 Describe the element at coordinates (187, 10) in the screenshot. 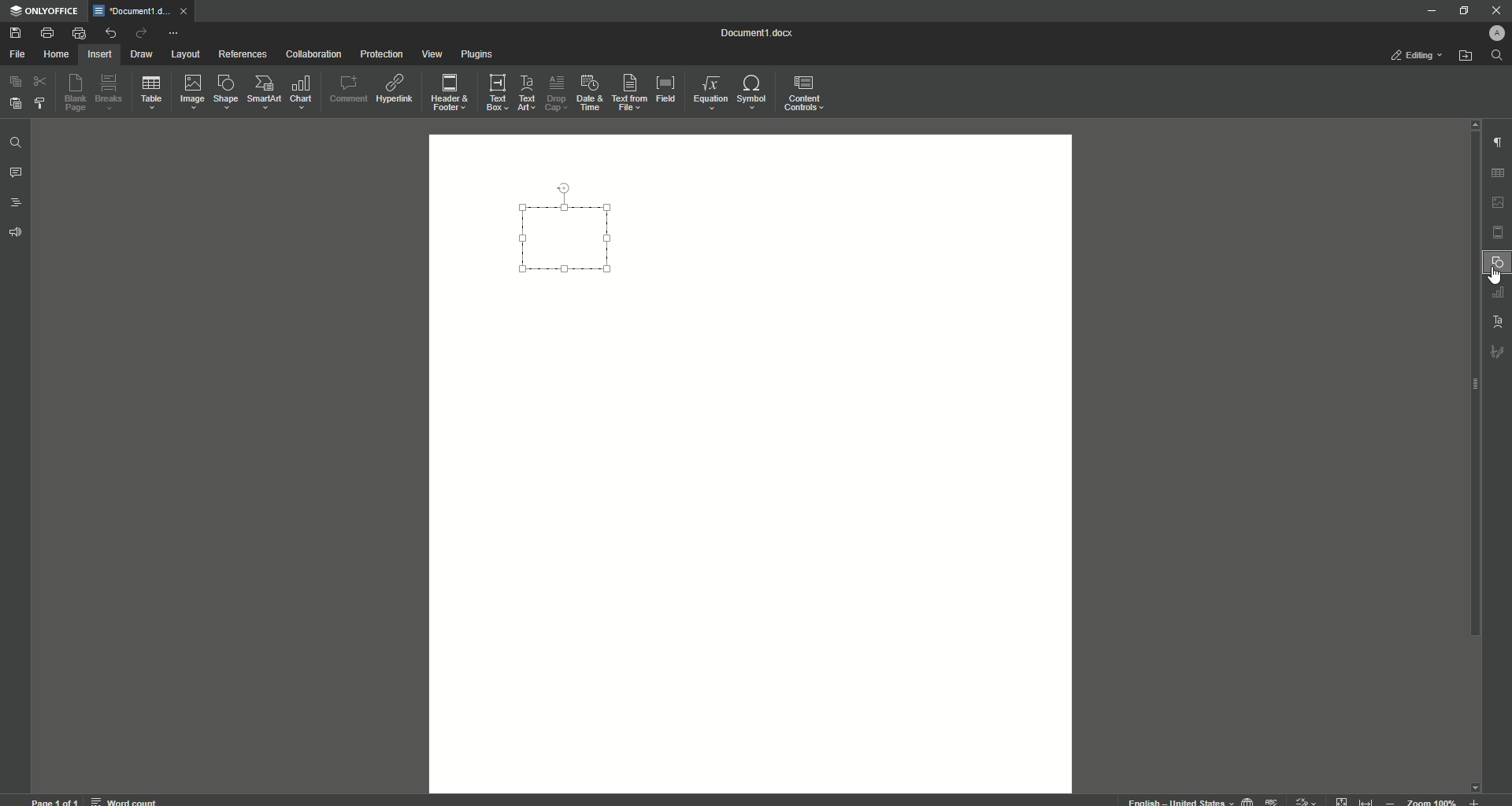

I see `close` at that location.